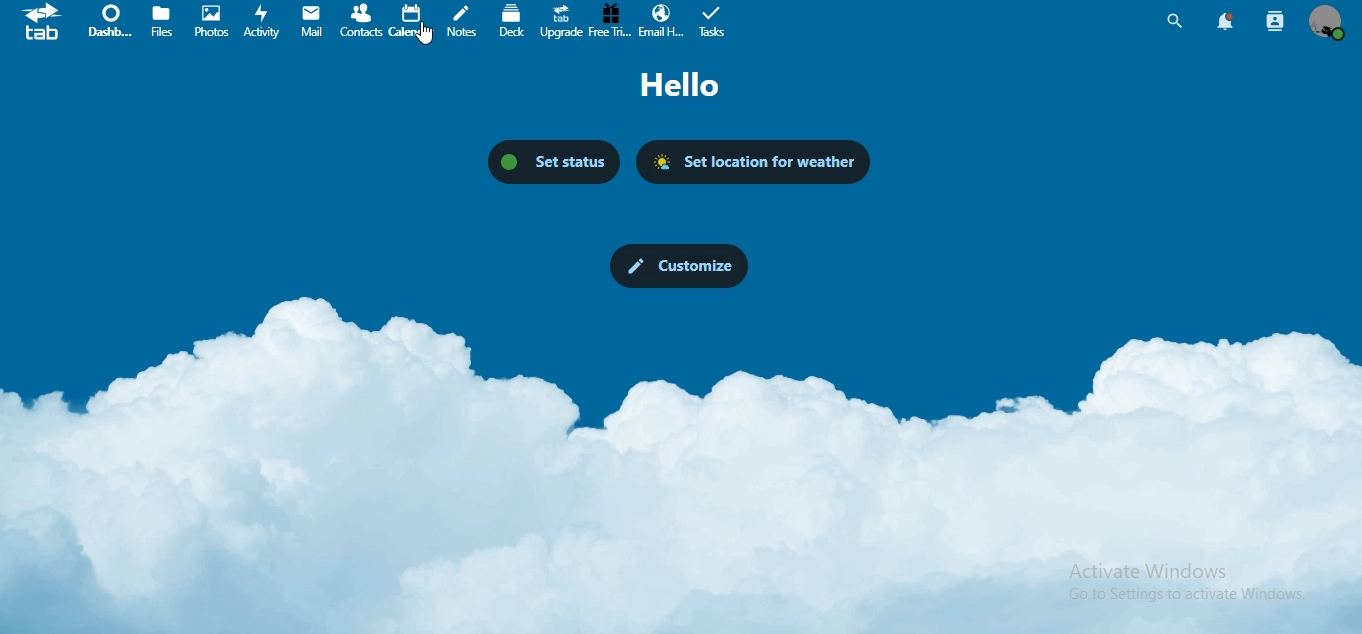 Image resolution: width=1362 pixels, height=634 pixels. I want to click on customize, so click(677, 264).